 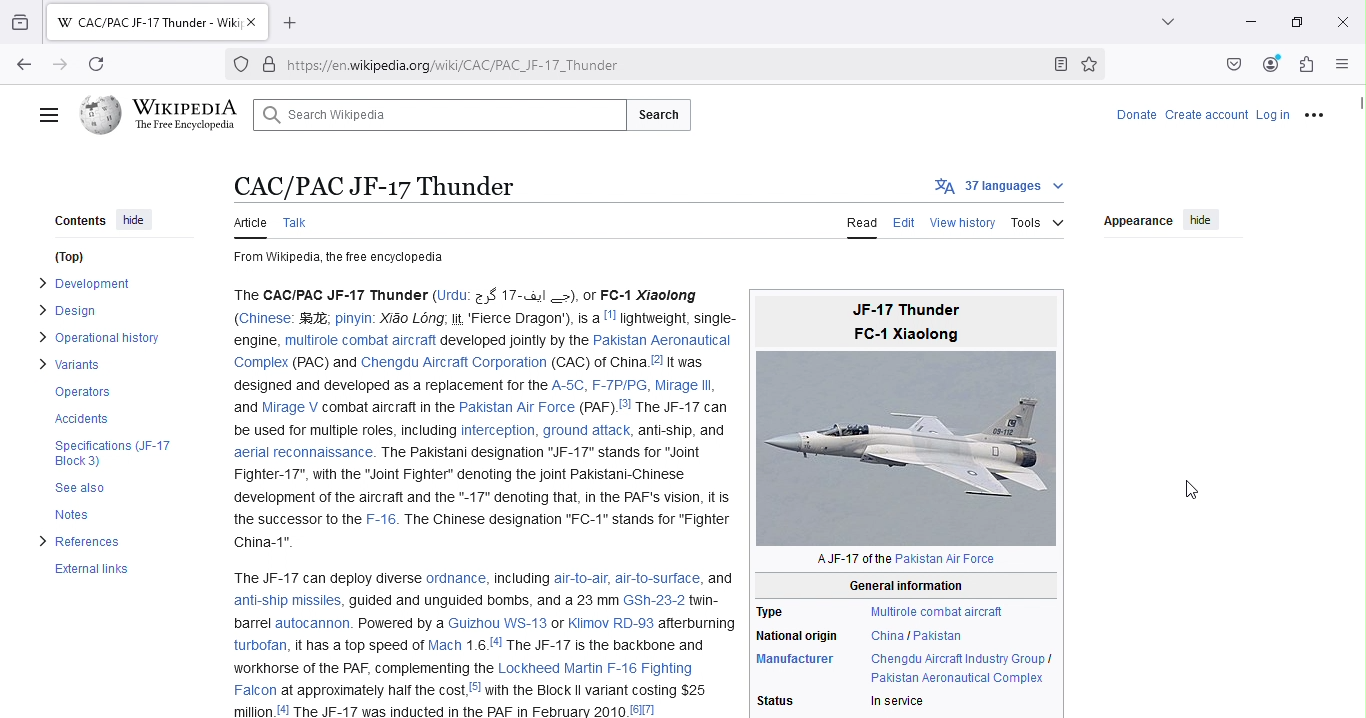 I want to click on languages, so click(x=1002, y=186).